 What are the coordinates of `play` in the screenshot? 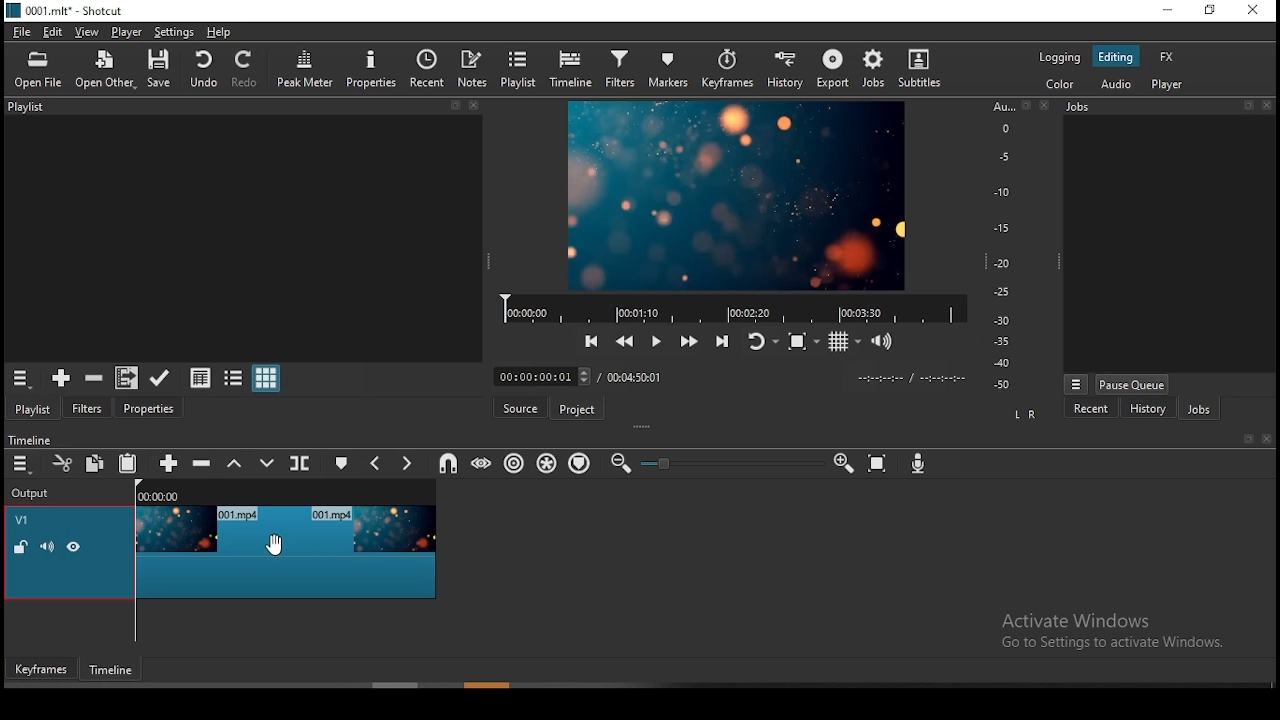 It's located at (660, 340).